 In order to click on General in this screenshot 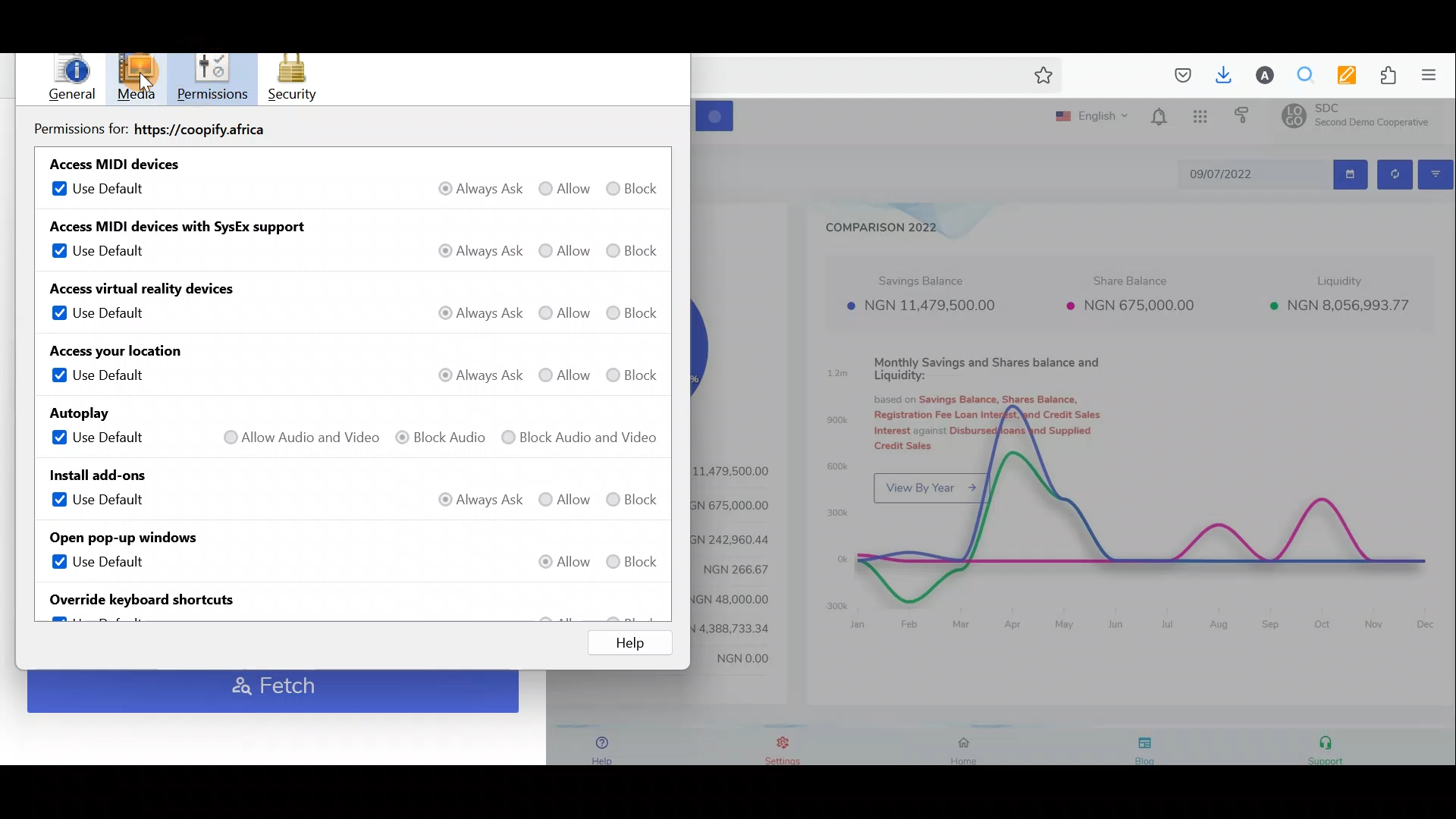, I will do `click(74, 81)`.